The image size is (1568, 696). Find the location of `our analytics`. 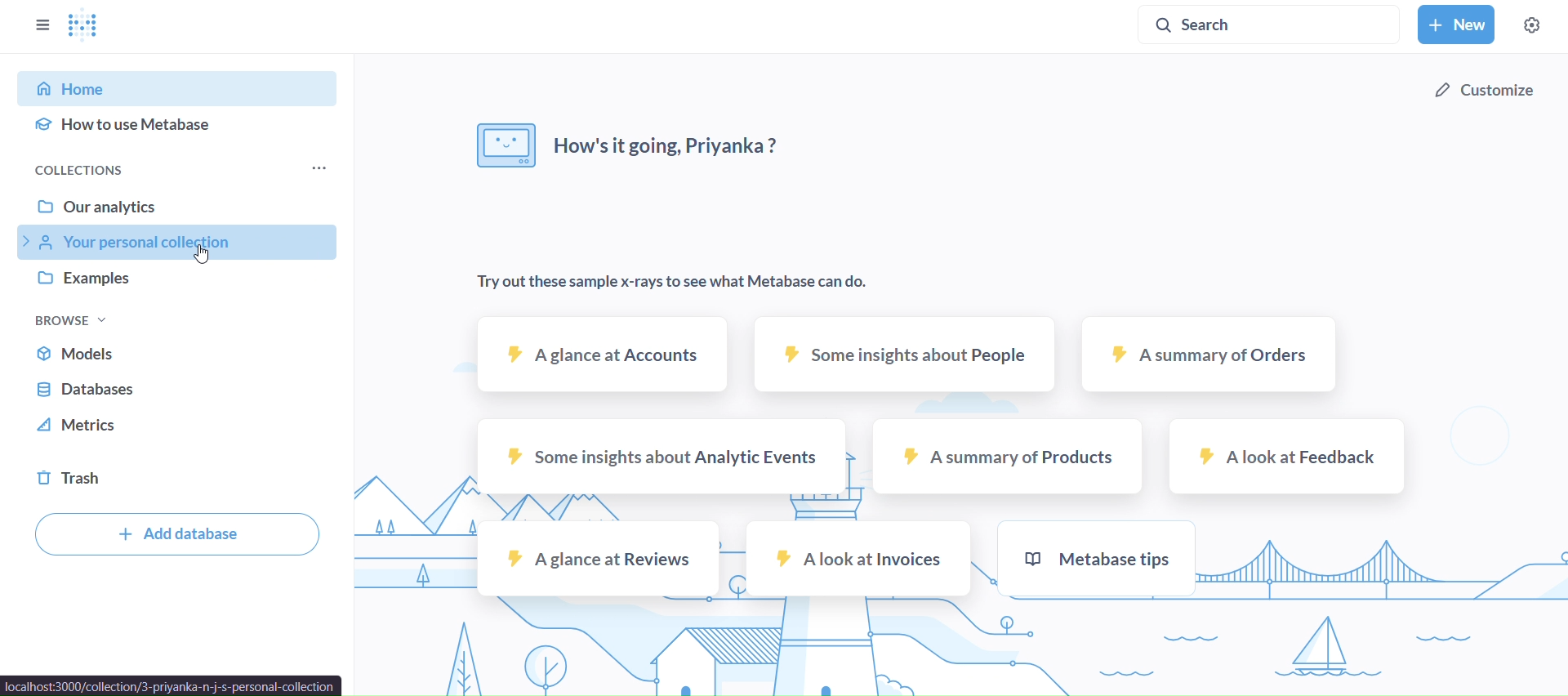

our analytics is located at coordinates (180, 203).